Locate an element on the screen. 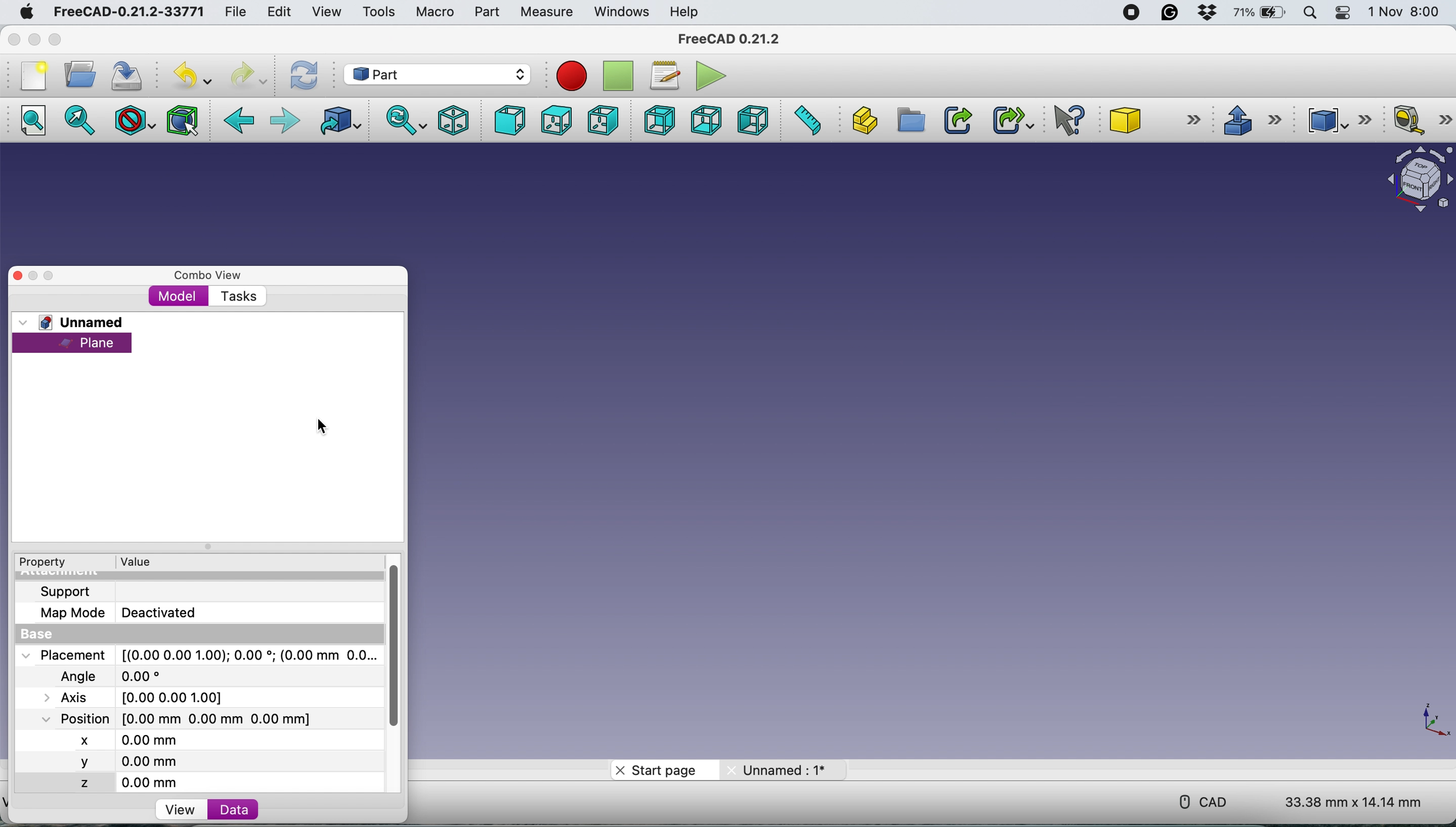  minimise is located at coordinates (32, 276).